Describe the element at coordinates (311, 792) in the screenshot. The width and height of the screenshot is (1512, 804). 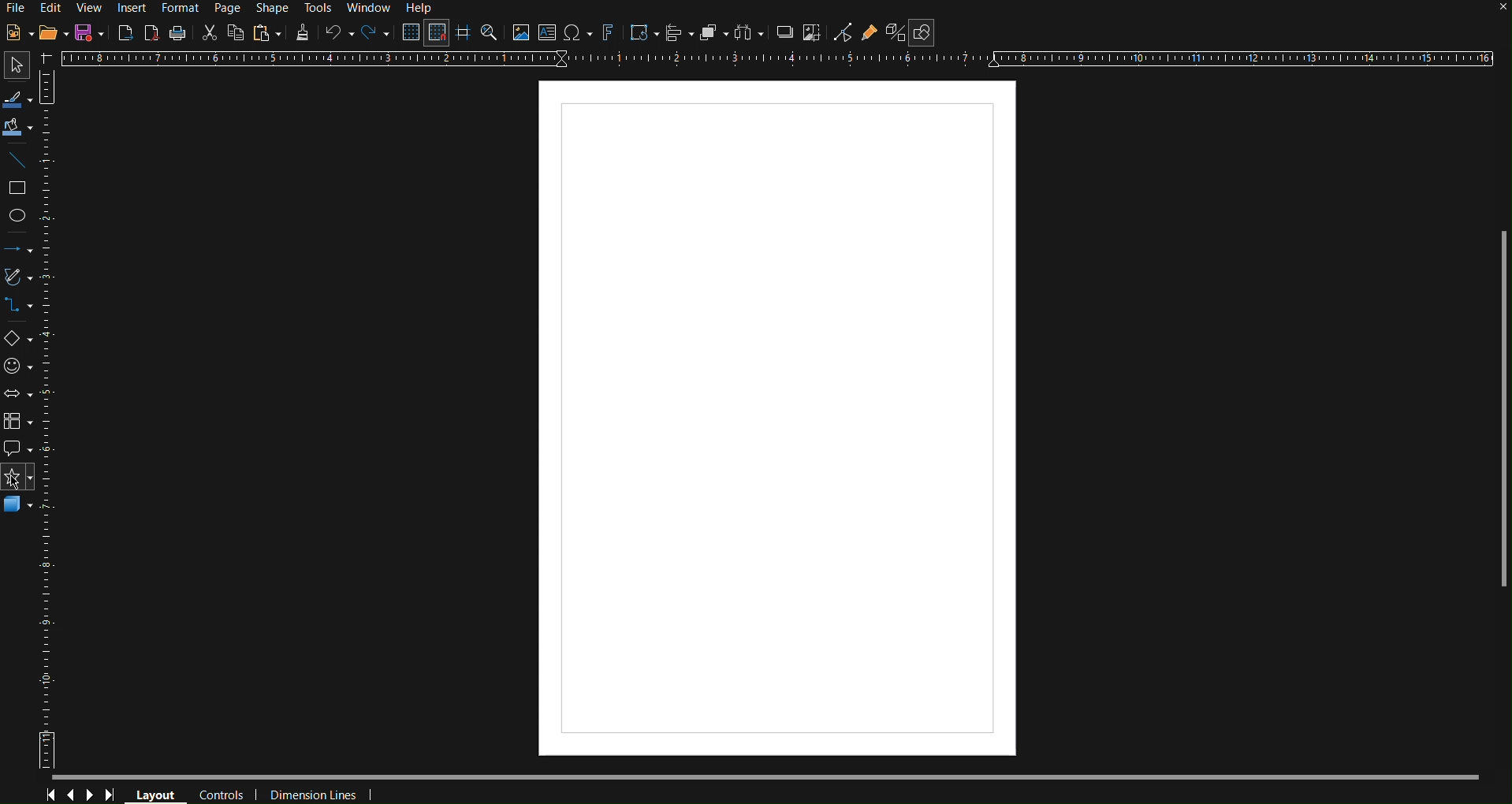
I see `Dimension Lines` at that location.